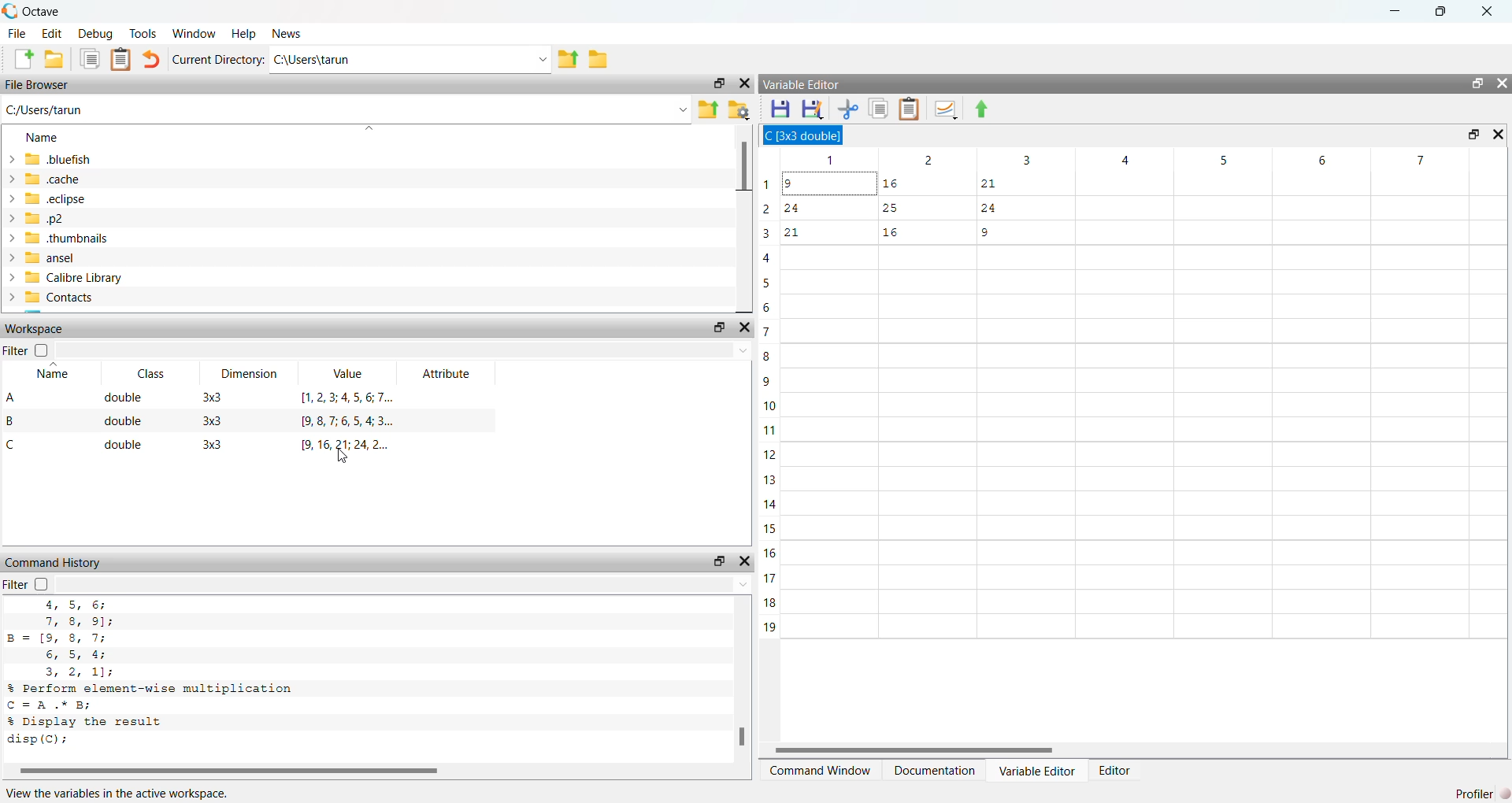 This screenshot has width=1512, height=803. Describe the element at coordinates (744, 83) in the screenshot. I see `Close` at that location.